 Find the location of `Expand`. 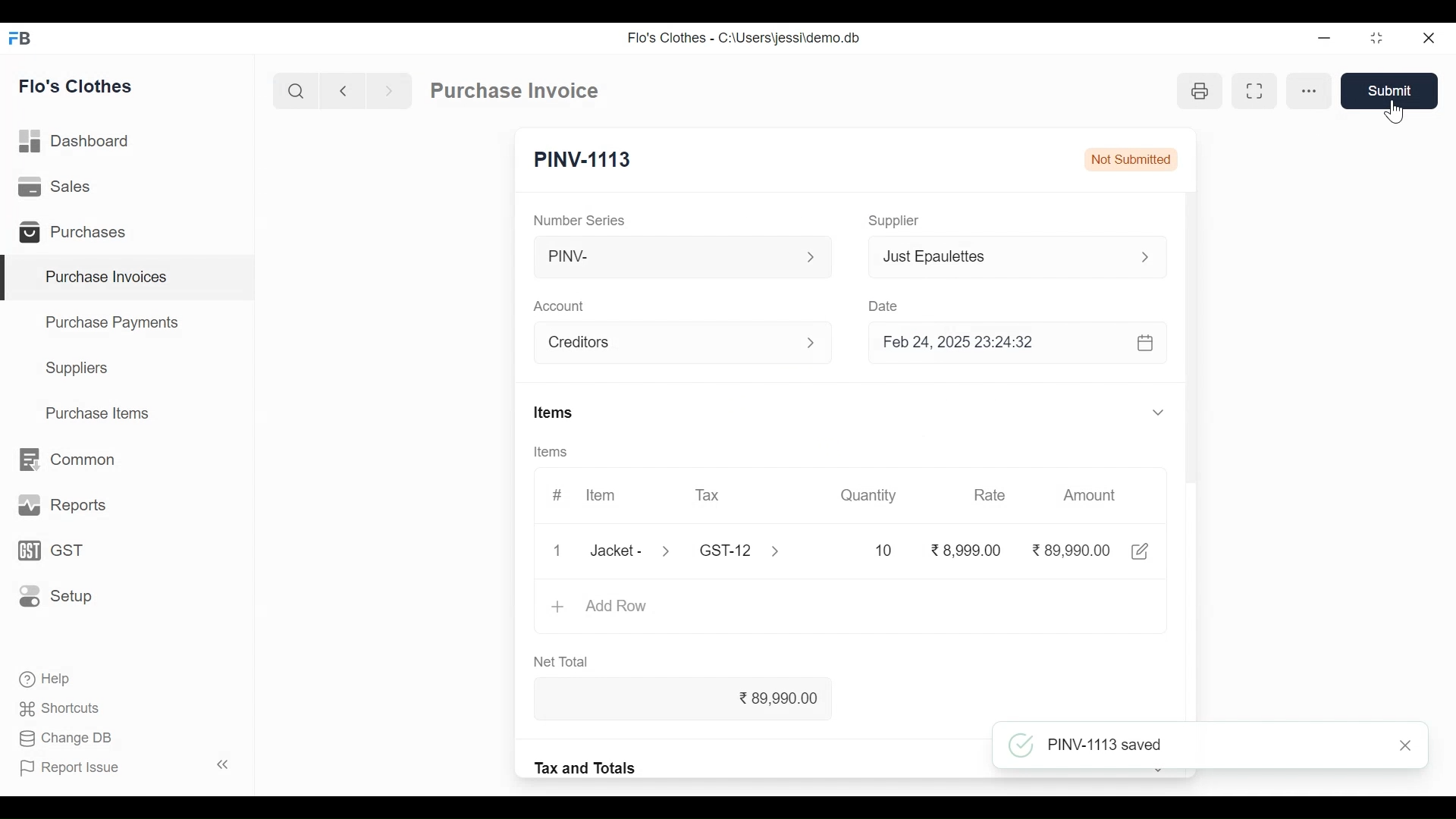

Expand is located at coordinates (817, 344).